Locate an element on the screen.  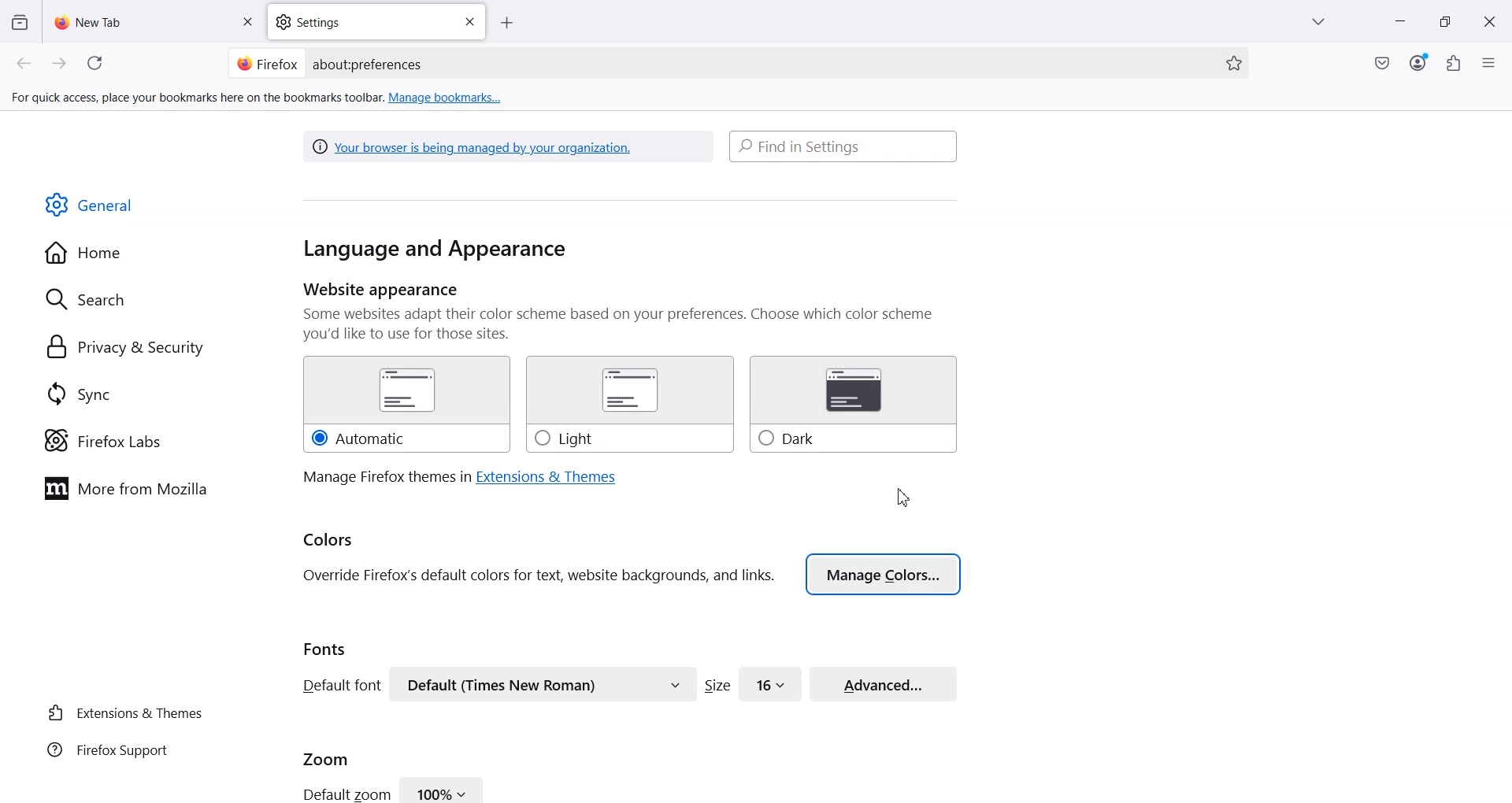
Default zoom is located at coordinates (345, 793).